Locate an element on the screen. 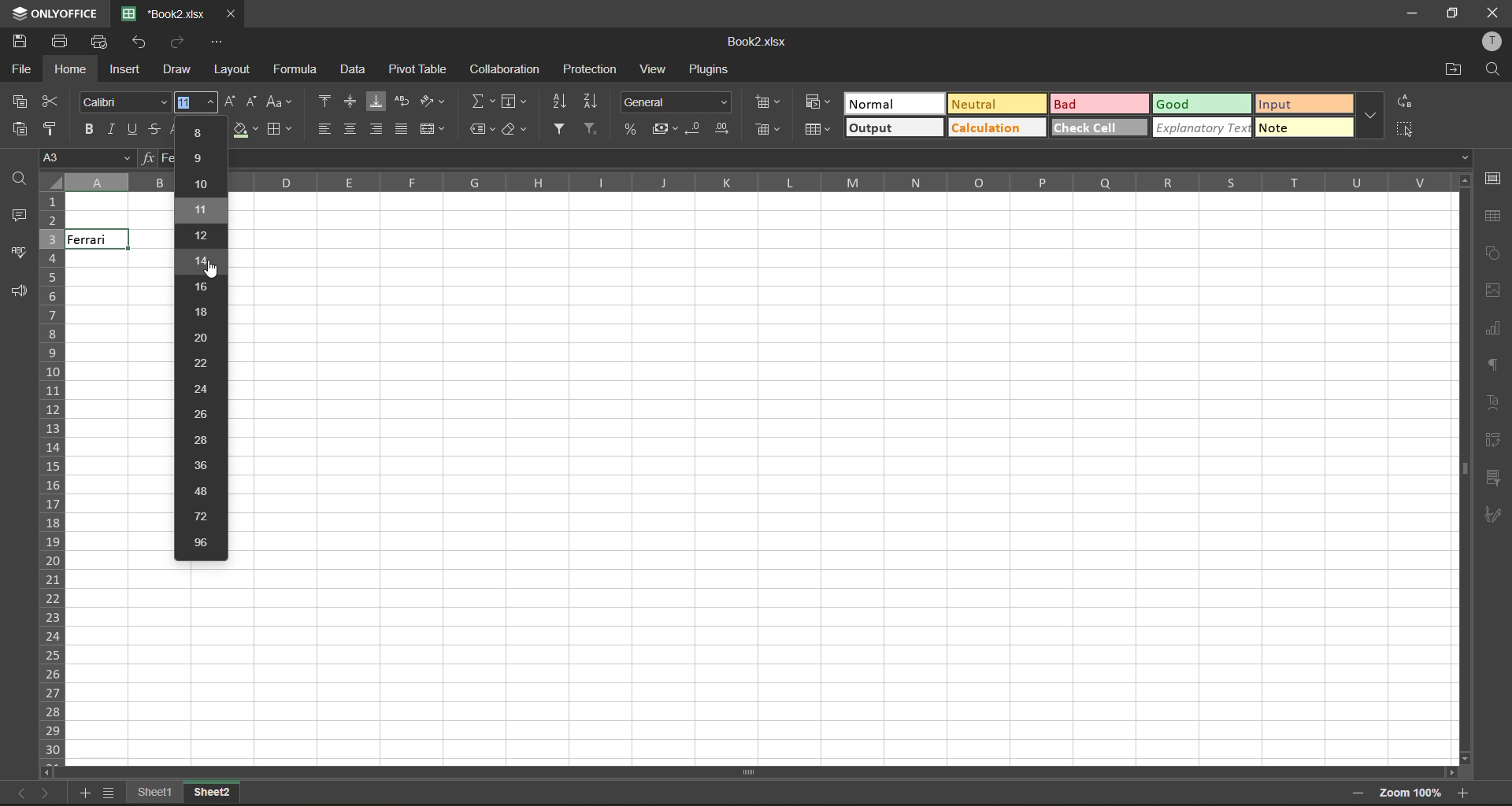 The image size is (1512, 806). filter is located at coordinates (563, 130).